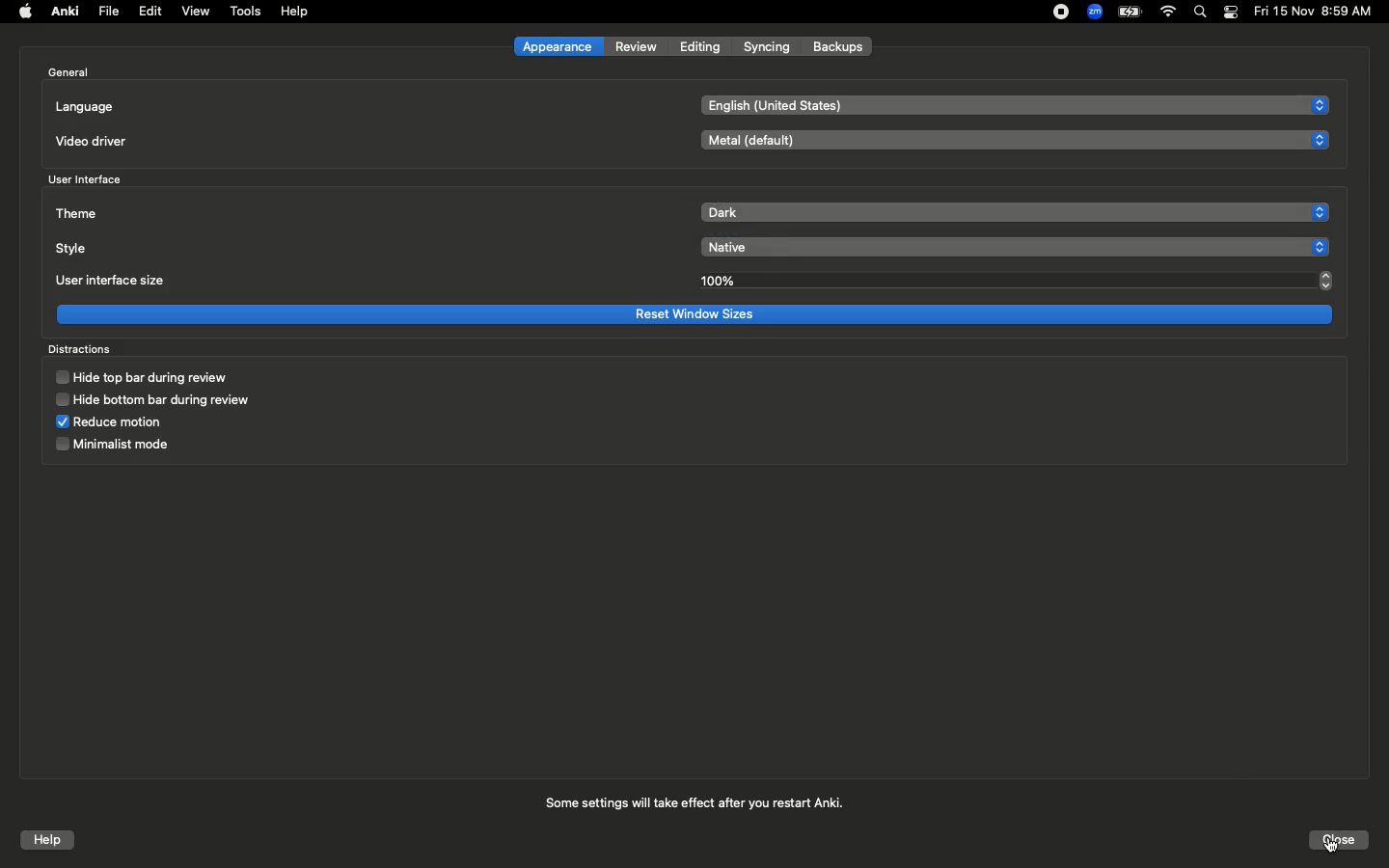 The height and width of the screenshot is (868, 1389). I want to click on Anki, so click(64, 10).